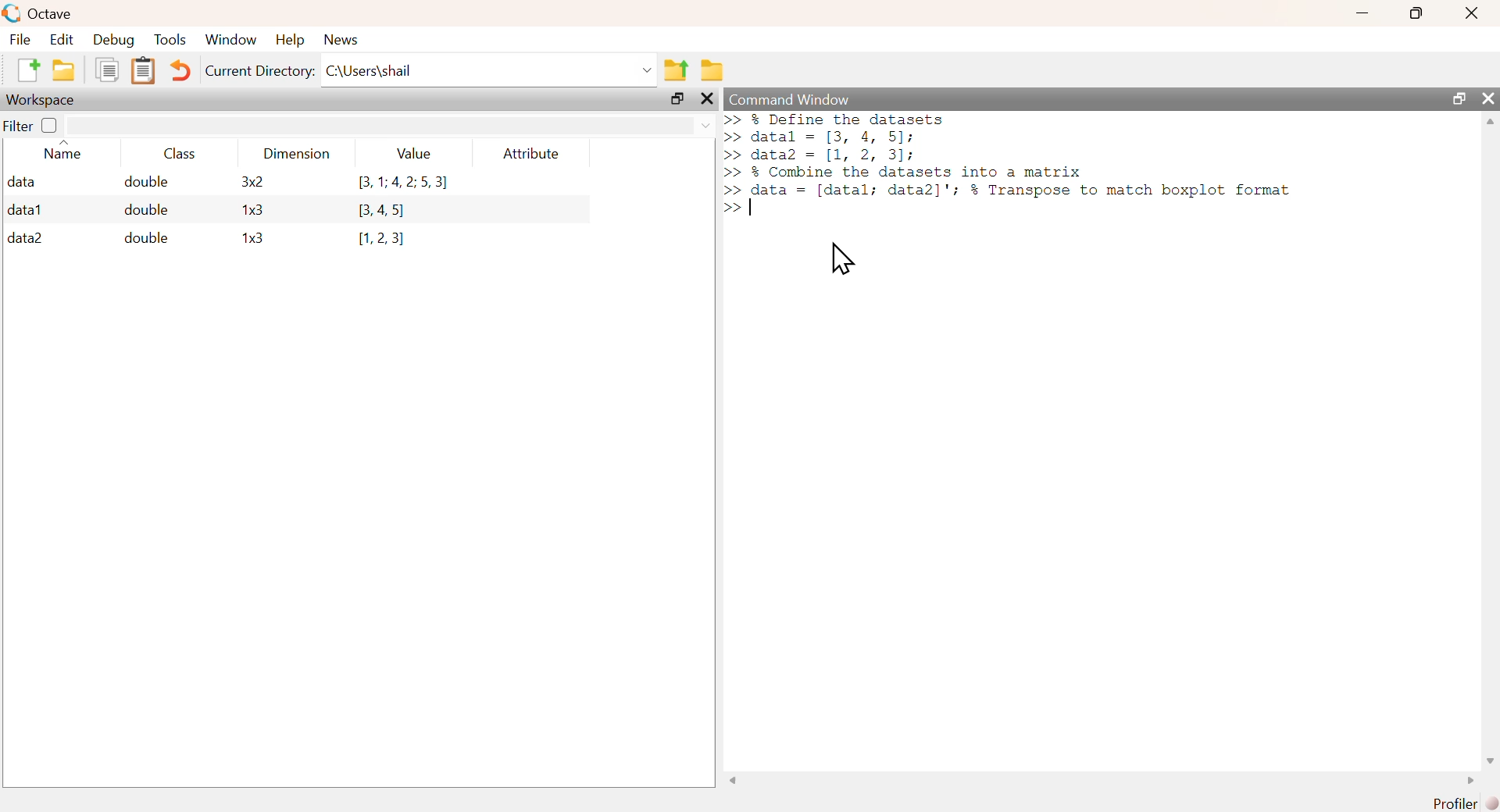 Image resolution: width=1500 pixels, height=812 pixels. What do you see at coordinates (31, 124) in the screenshot?
I see `Filter` at bounding box center [31, 124].